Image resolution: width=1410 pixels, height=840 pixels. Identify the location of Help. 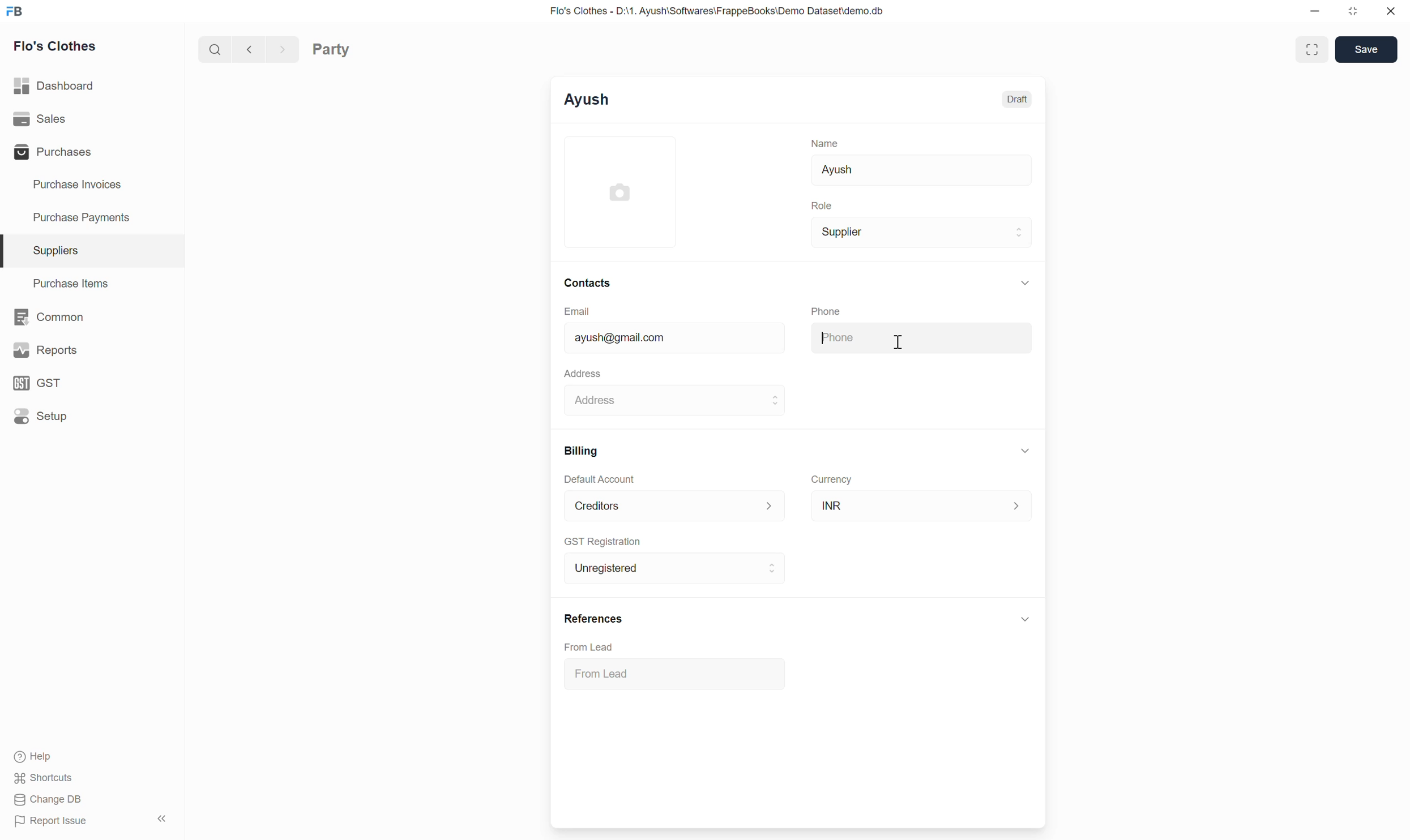
(44, 757).